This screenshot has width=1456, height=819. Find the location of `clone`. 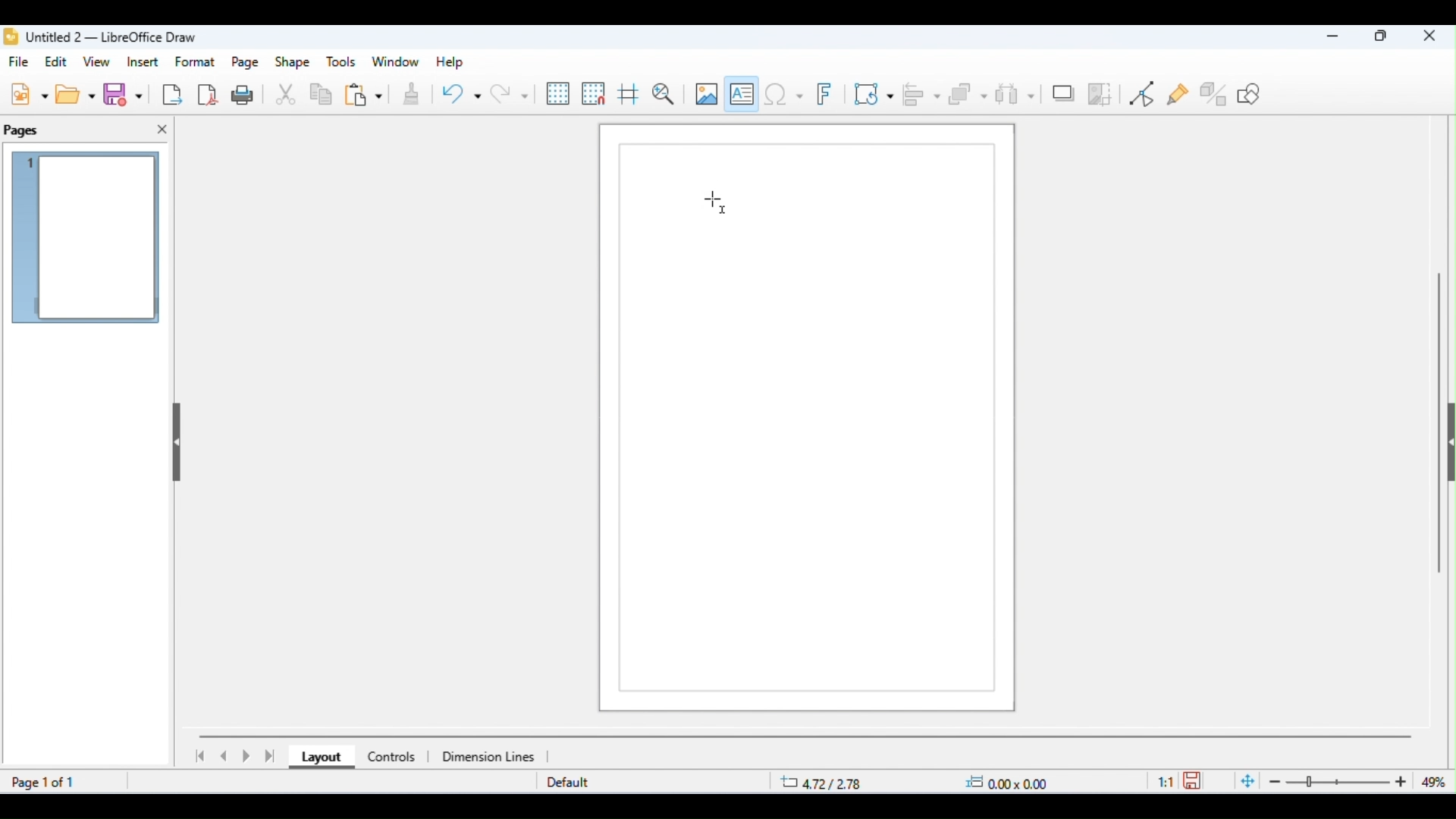

clone is located at coordinates (409, 96).